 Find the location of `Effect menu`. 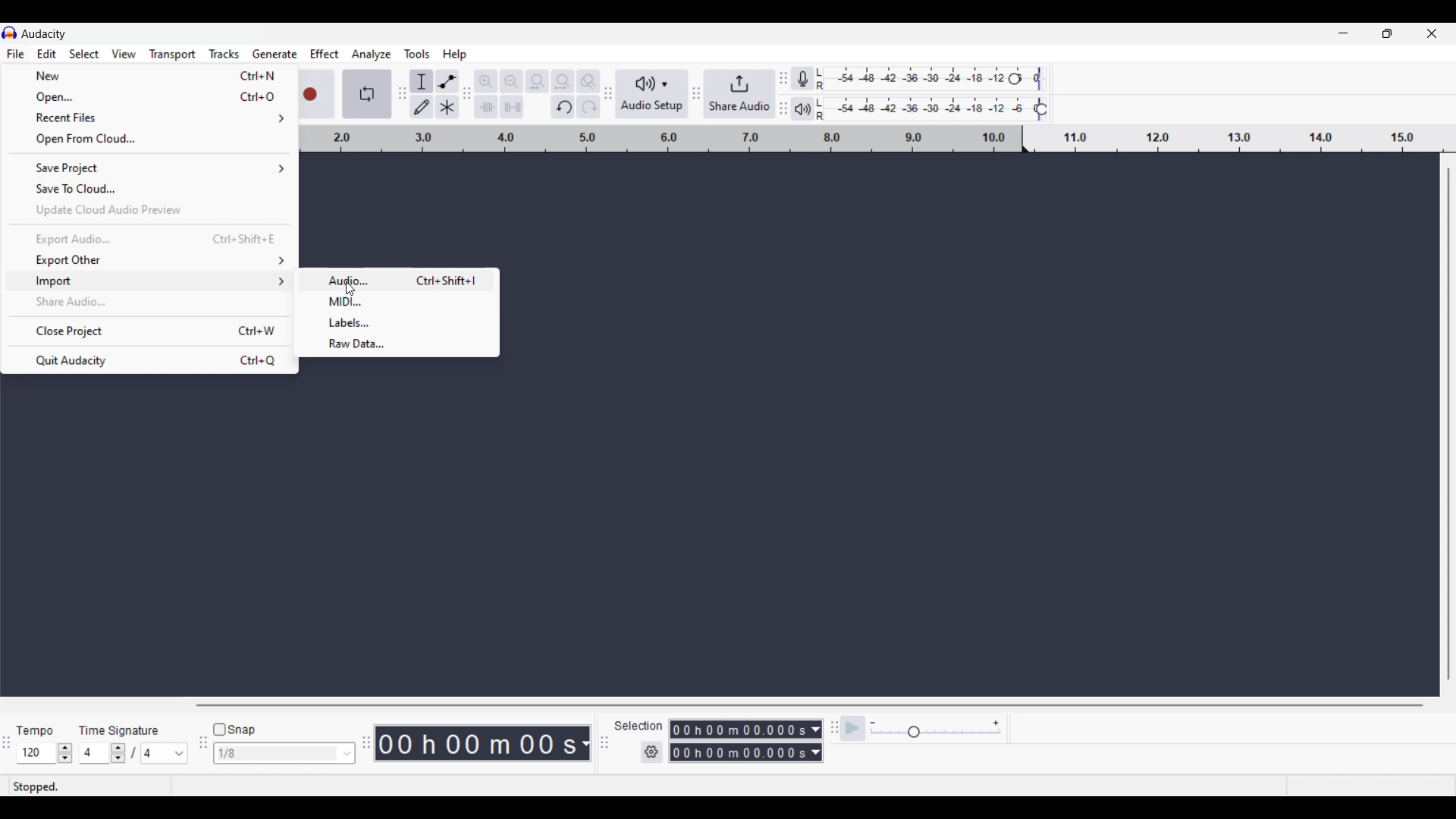

Effect menu is located at coordinates (325, 54).